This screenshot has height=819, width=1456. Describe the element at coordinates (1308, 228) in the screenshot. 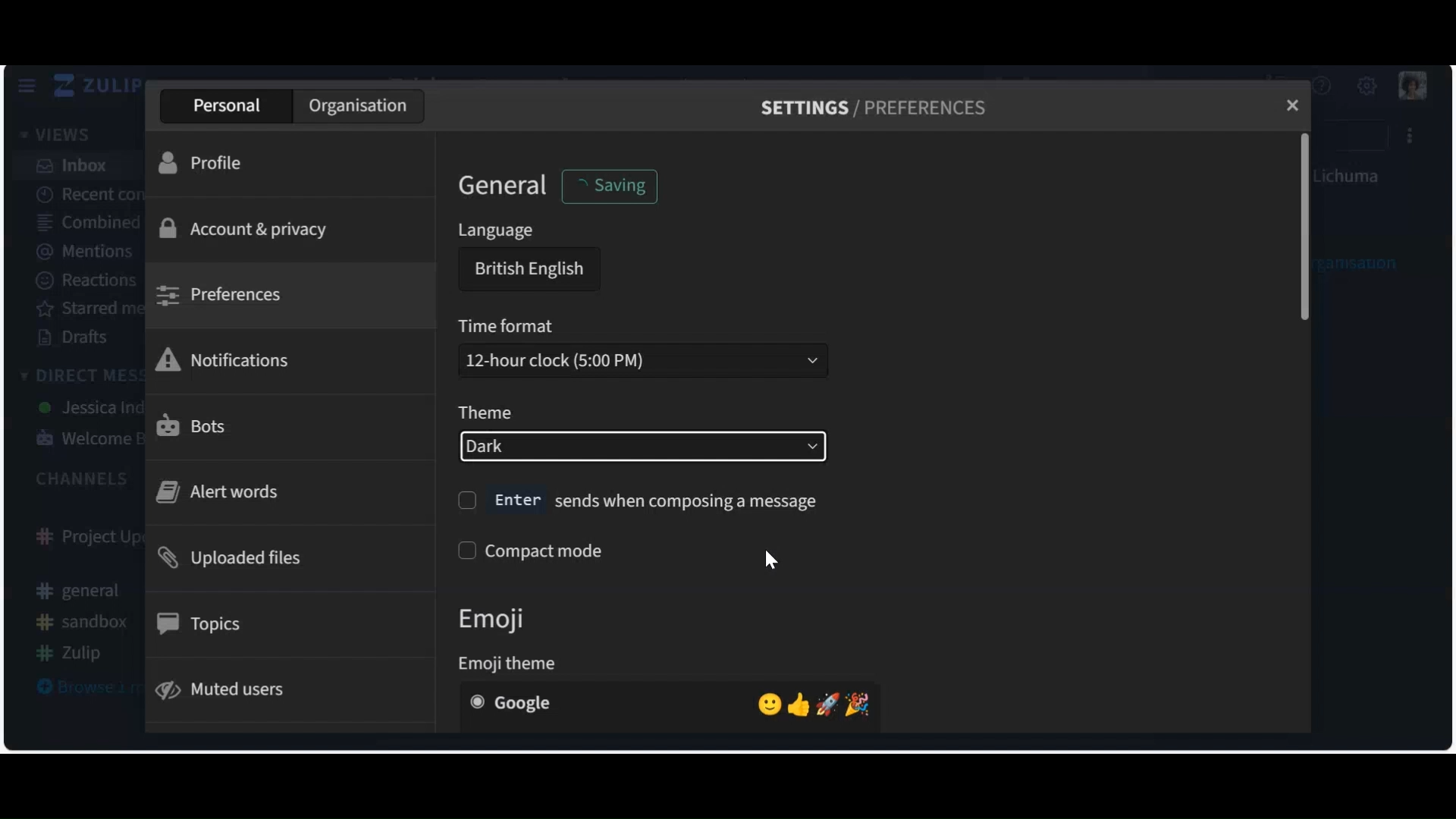

I see `Vertical Scroll bar` at that location.